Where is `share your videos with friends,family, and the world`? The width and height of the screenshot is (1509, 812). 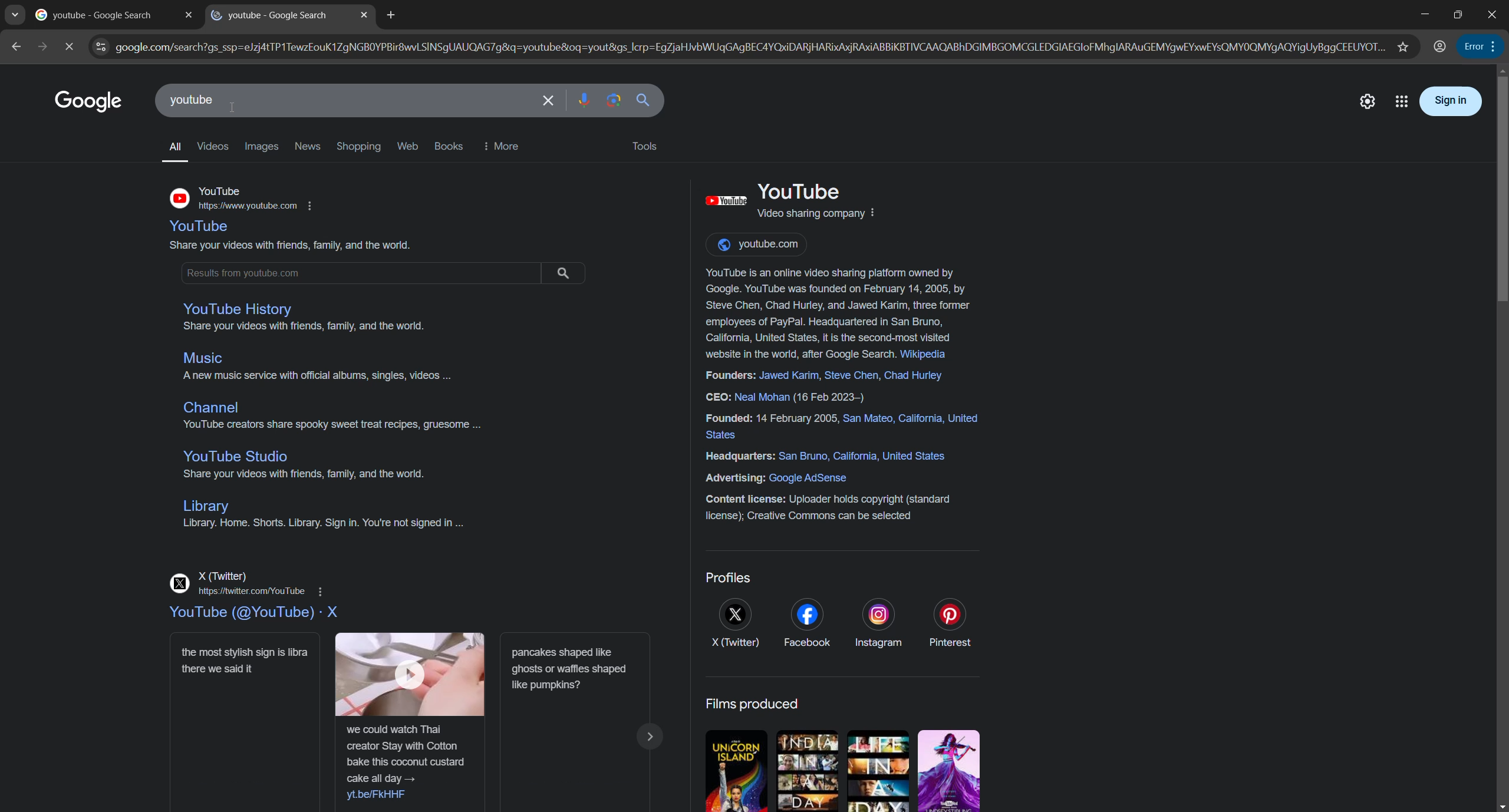 share your videos with friends,family, and the world is located at coordinates (303, 326).